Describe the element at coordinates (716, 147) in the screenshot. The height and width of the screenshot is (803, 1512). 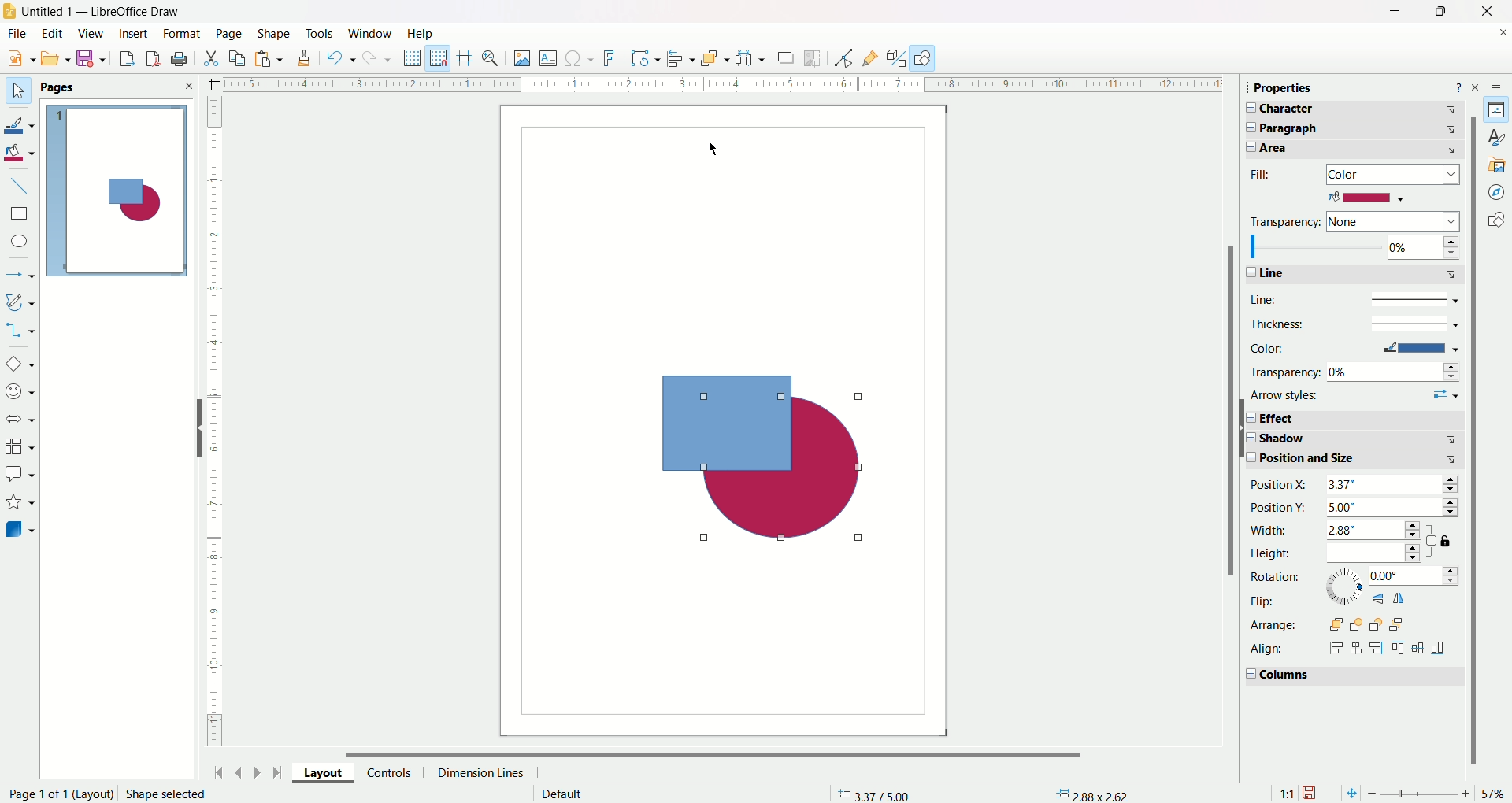
I see `Cursor` at that location.